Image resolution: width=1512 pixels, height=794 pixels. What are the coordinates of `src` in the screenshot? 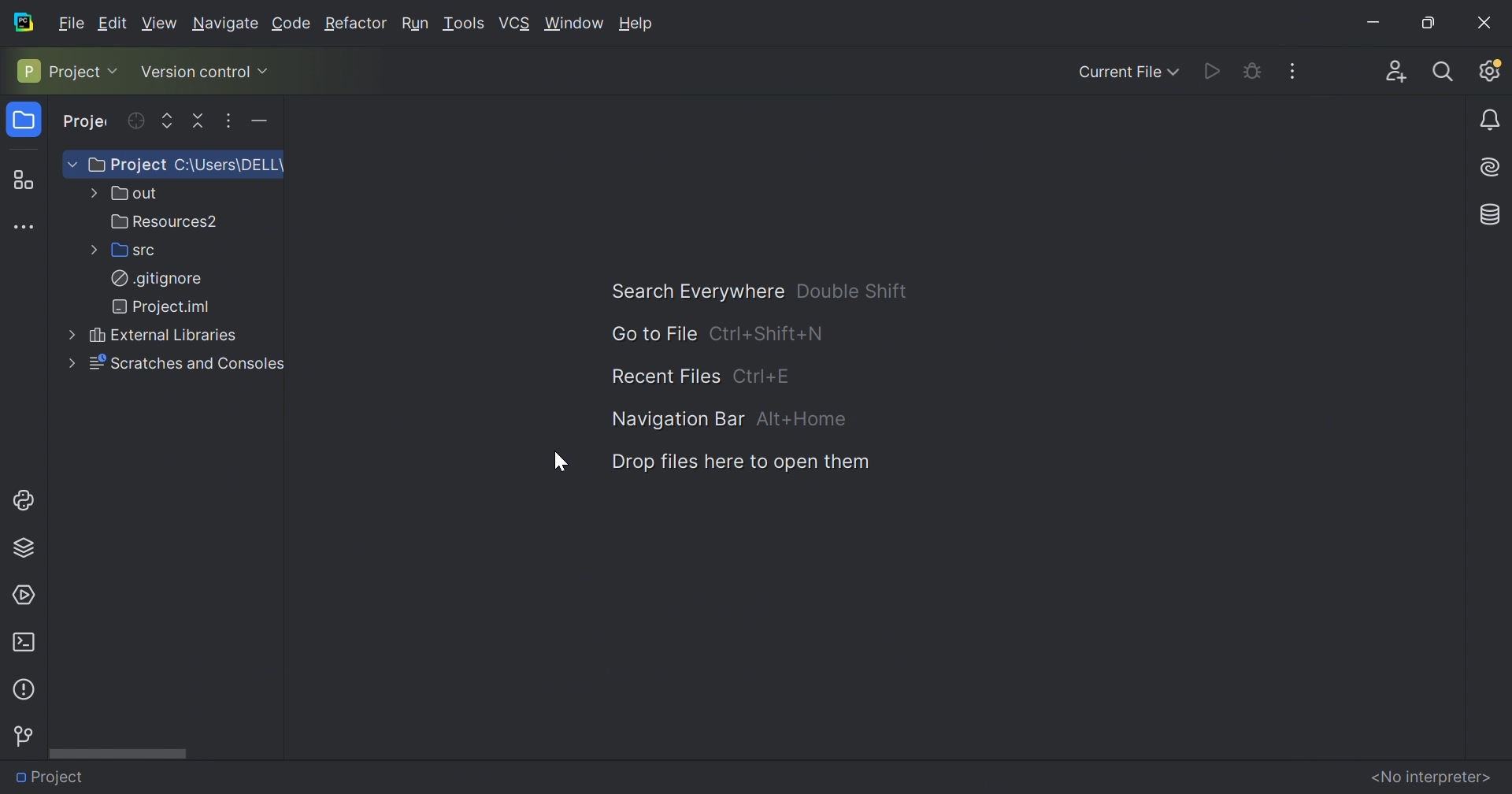 It's located at (130, 250).